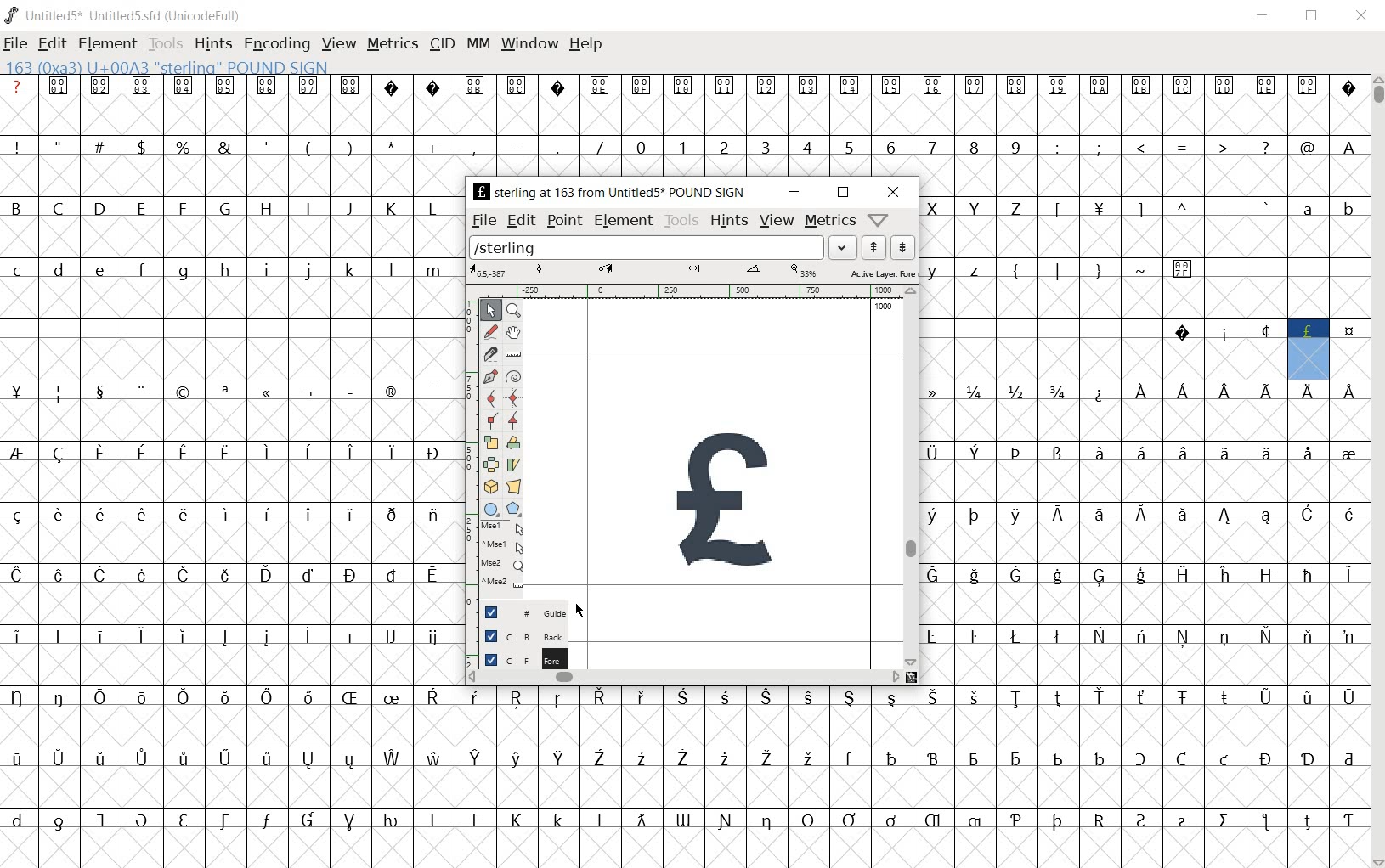  What do you see at coordinates (891, 192) in the screenshot?
I see `close` at bounding box center [891, 192].